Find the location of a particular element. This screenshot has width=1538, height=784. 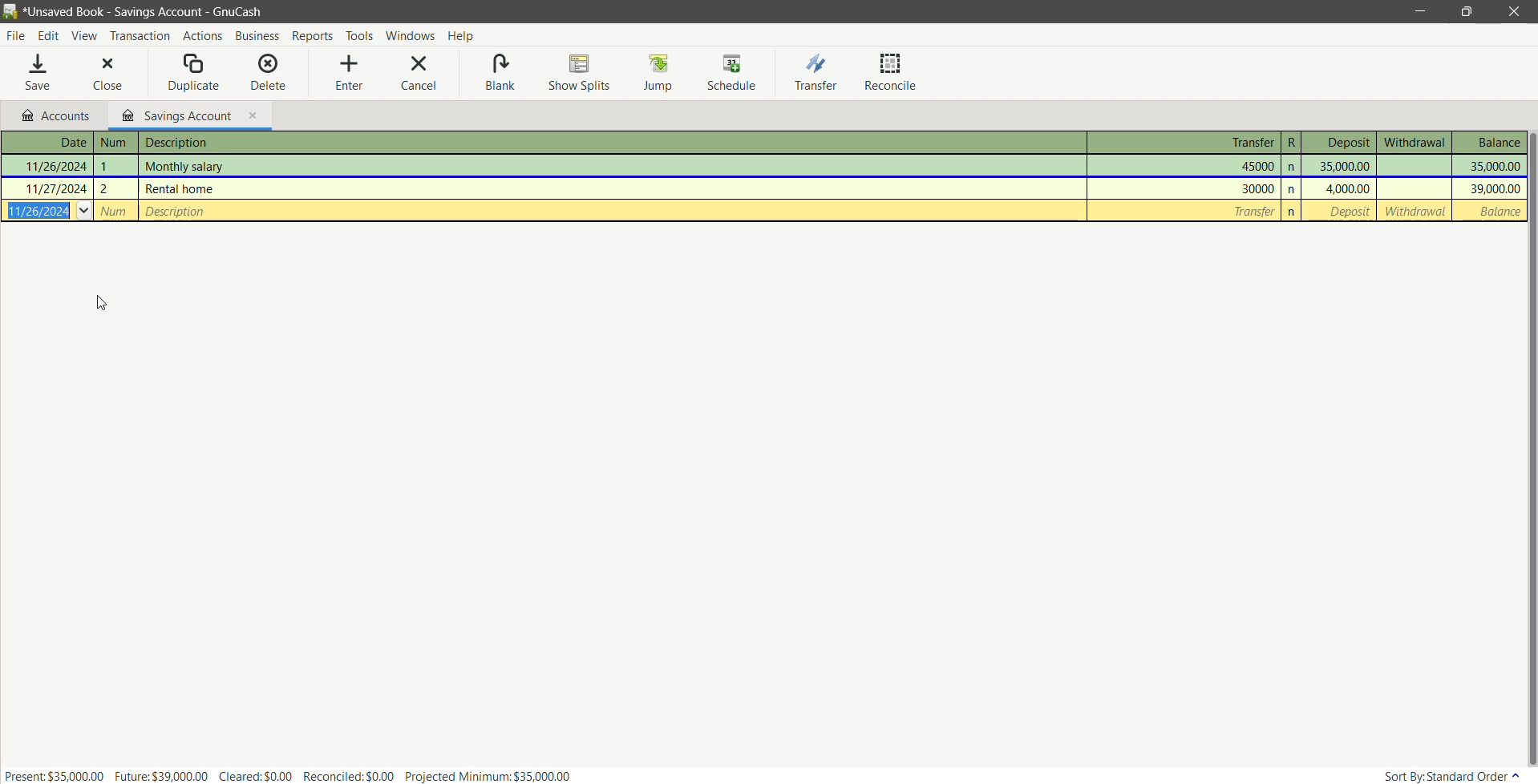

Actions is located at coordinates (201, 34).